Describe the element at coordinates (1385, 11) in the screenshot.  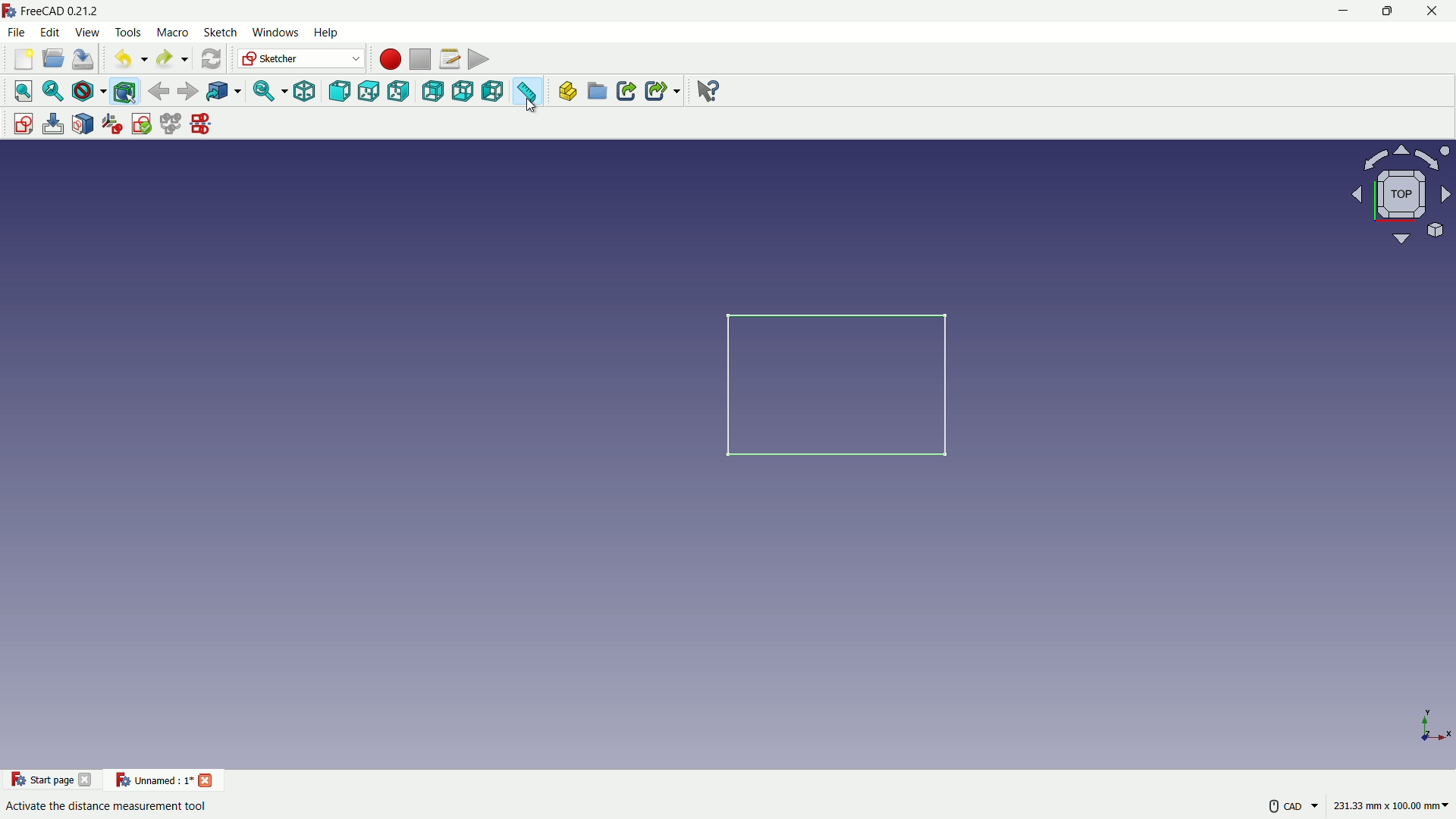
I see `maximize or restore` at that location.